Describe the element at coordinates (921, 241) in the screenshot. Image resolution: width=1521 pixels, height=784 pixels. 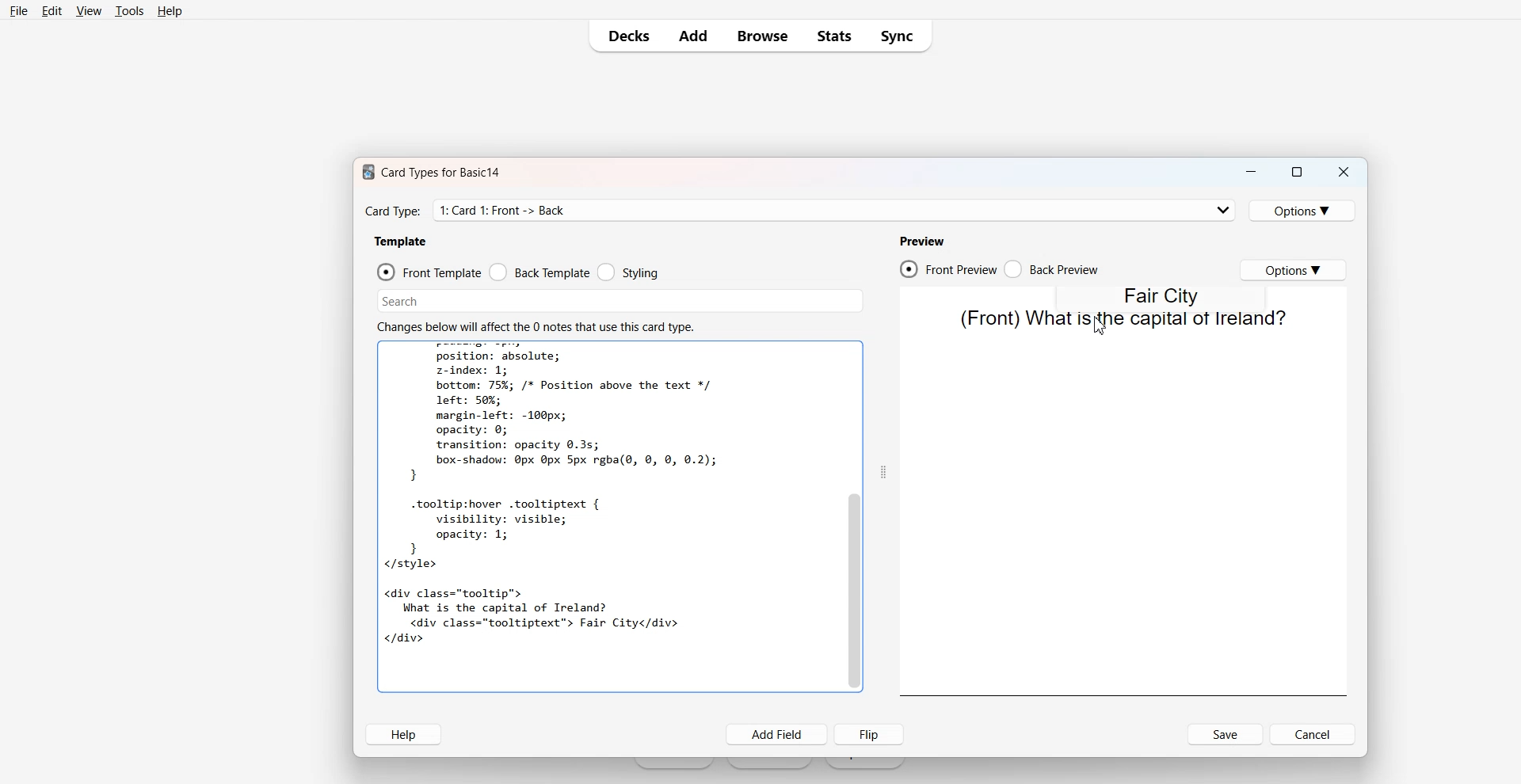
I see `Preview` at that location.